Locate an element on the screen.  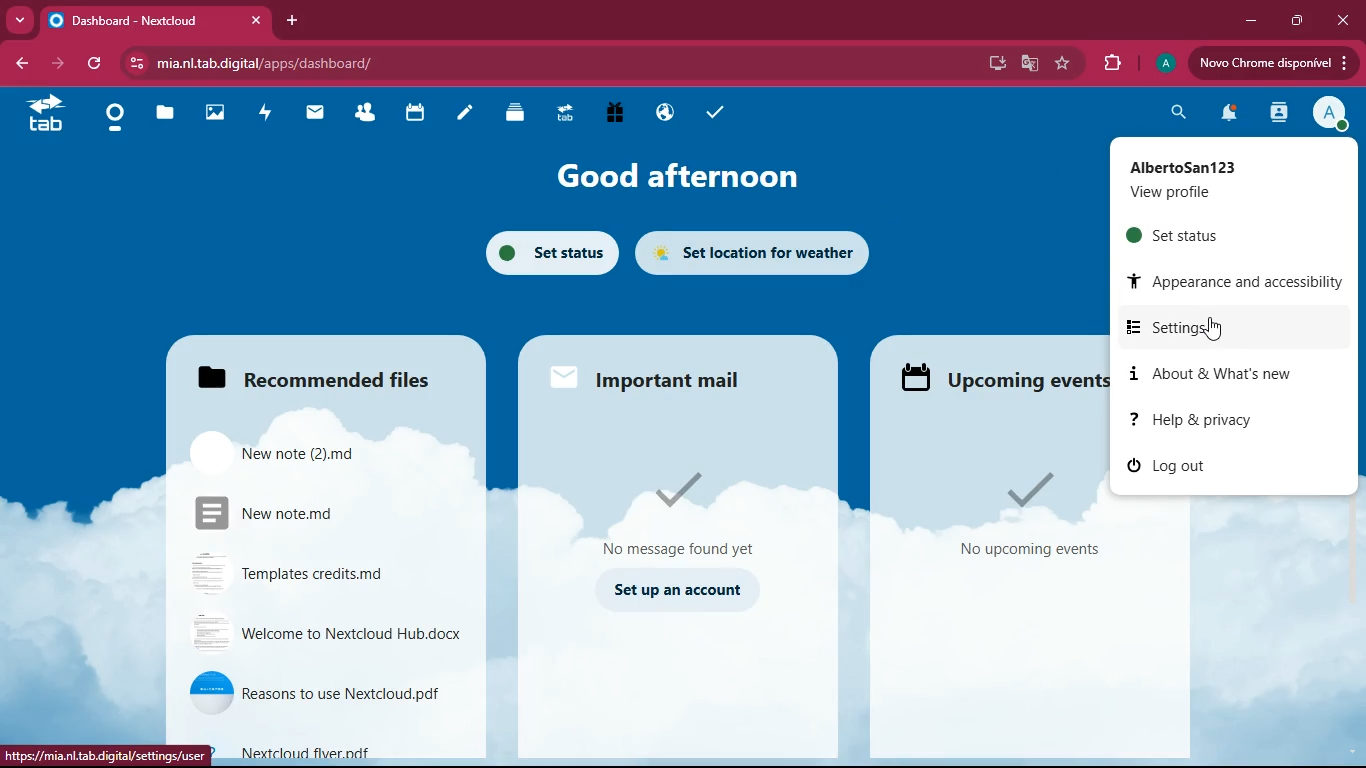
profile is located at coordinates (1162, 65).